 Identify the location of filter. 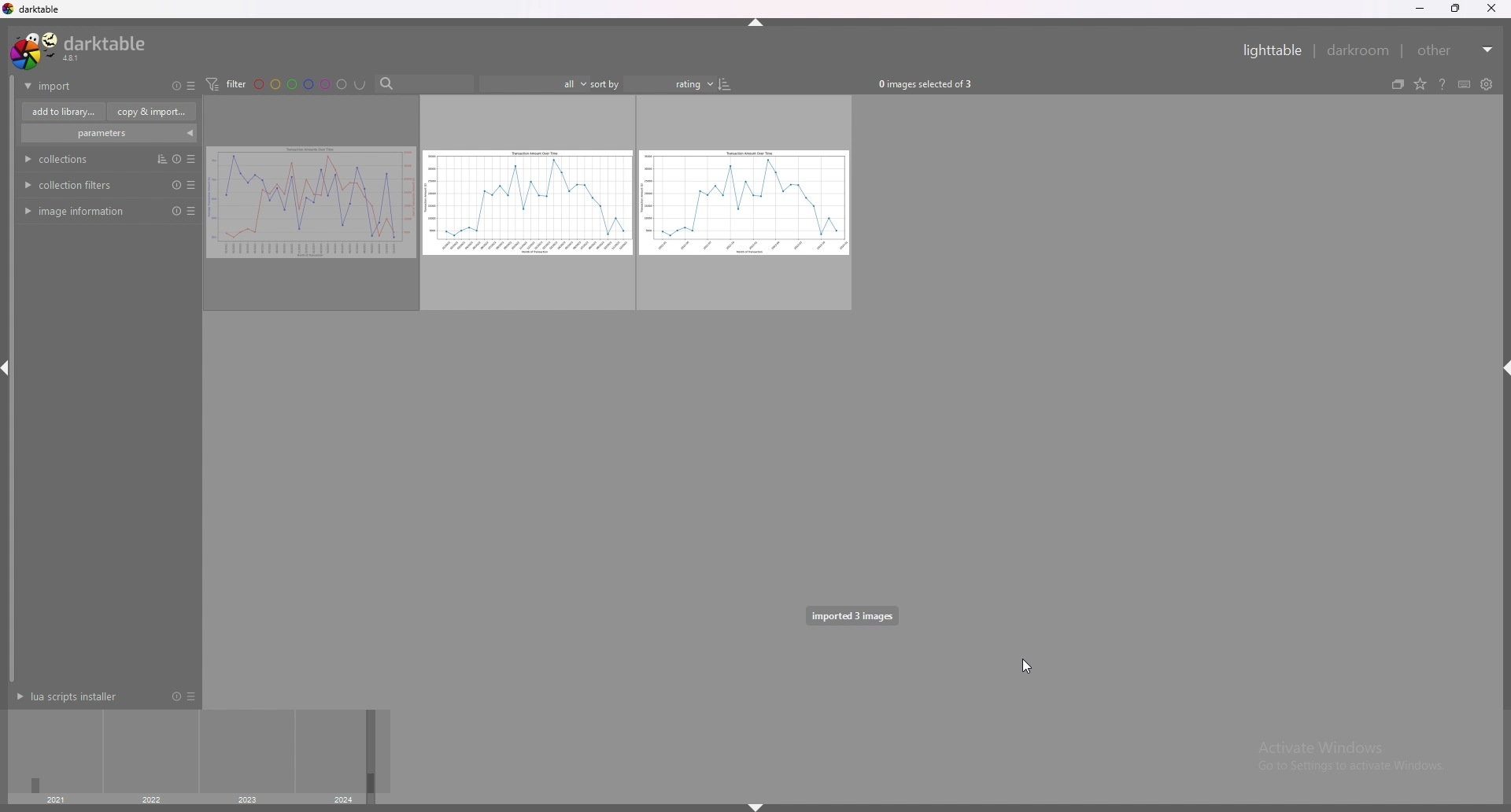
(226, 84).